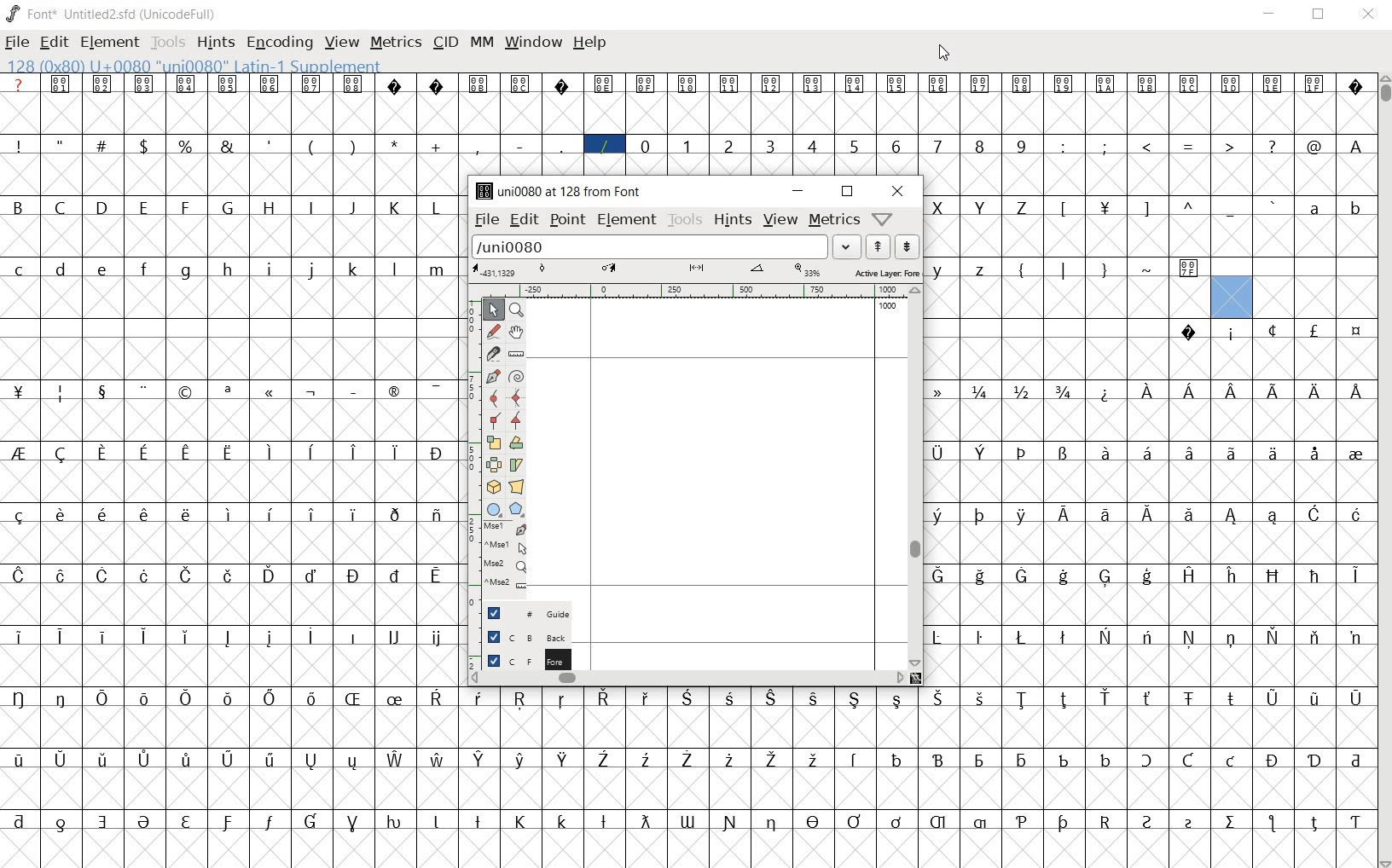 The width and height of the screenshot is (1392, 868). What do you see at coordinates (311, 698) in the screenshot?
I see `glyph` at bounding box center [311, 698].